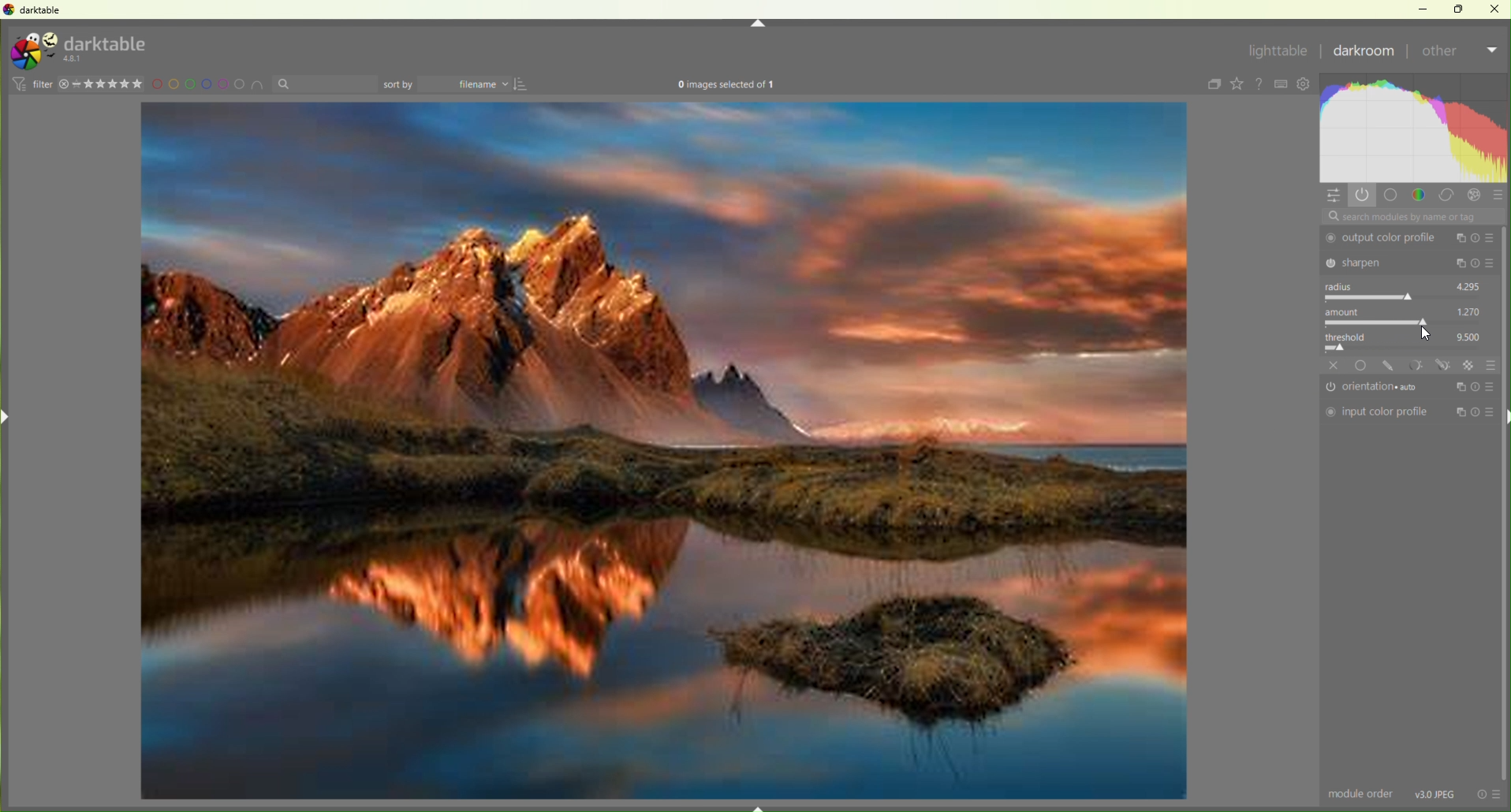  I want to click on Output color profile, so click(1384, 238).